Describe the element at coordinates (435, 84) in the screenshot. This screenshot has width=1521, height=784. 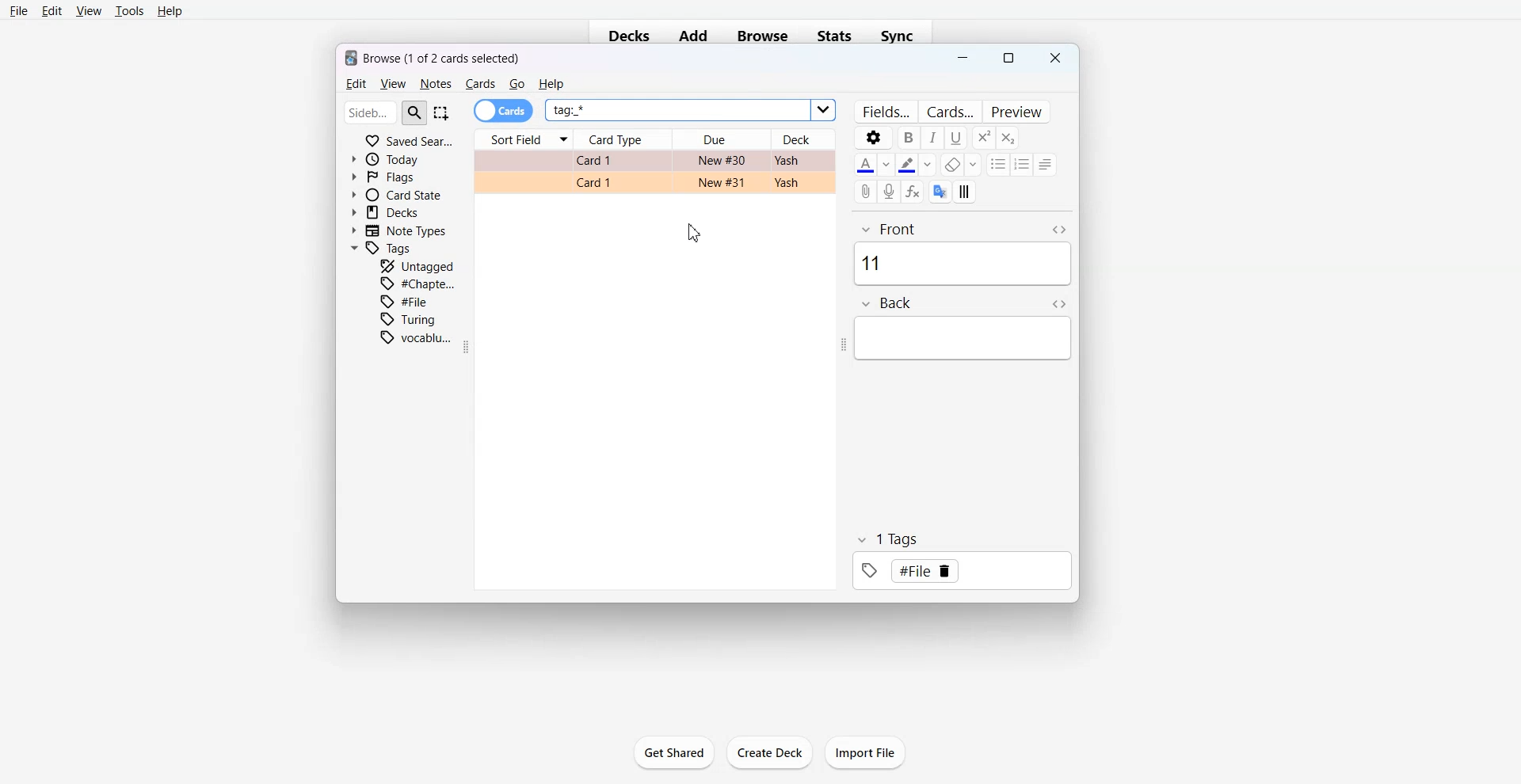
I see `Notes` at that location.